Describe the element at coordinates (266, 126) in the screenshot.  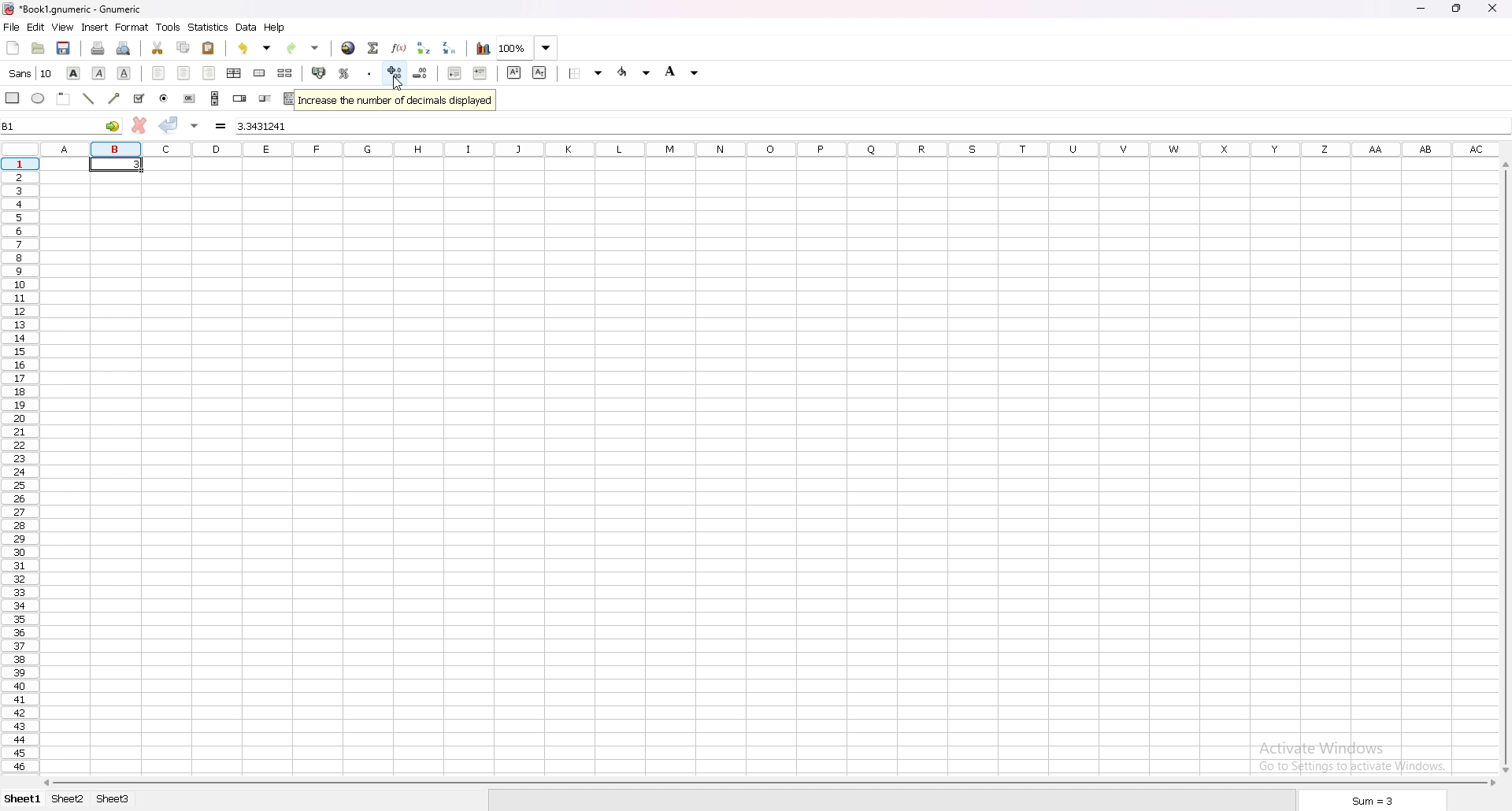
I see `3.431241` at that location.